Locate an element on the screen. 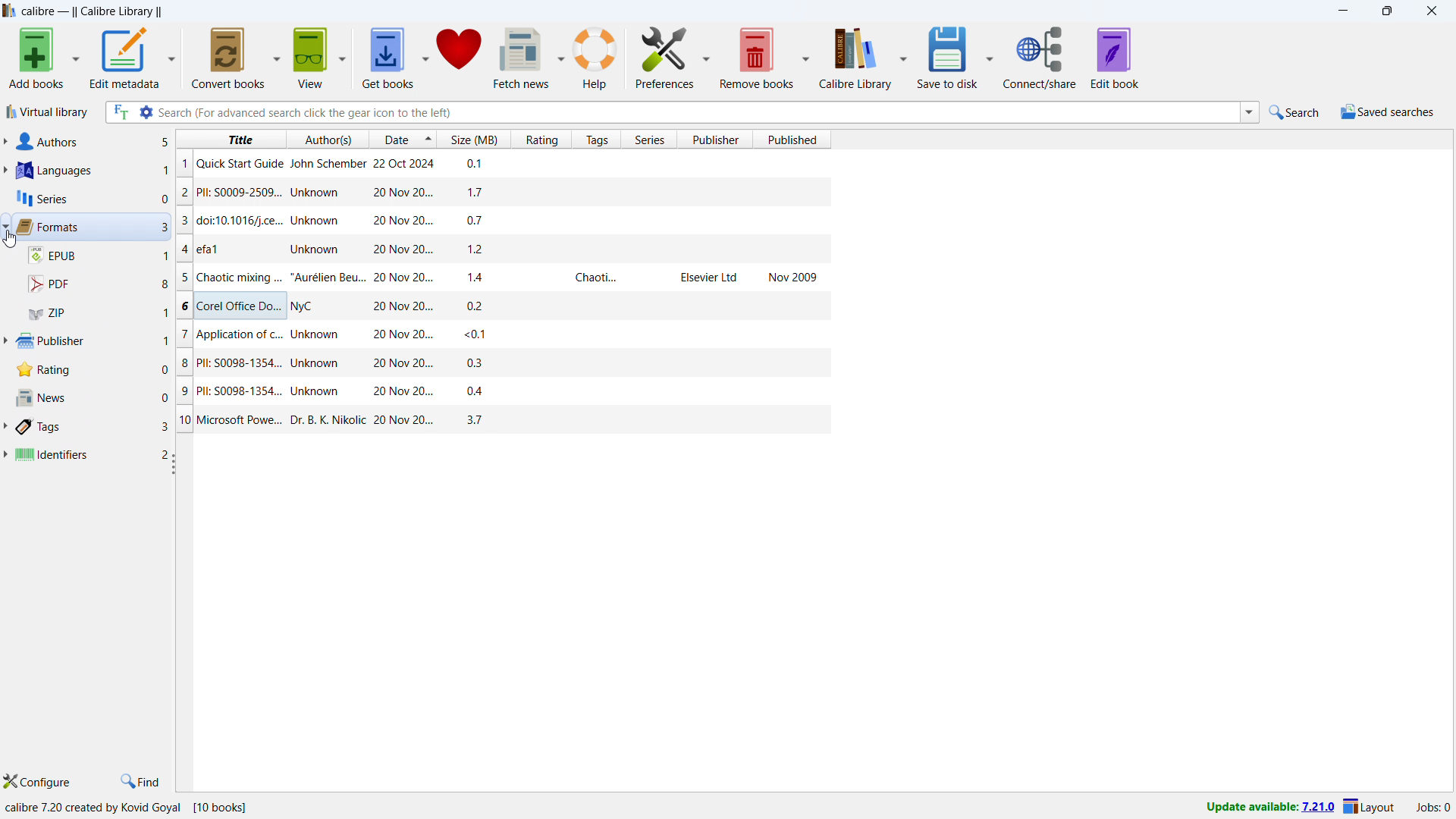 This screenshot has height=819, width=1456. sort by published is located at coordinates (792, 140).